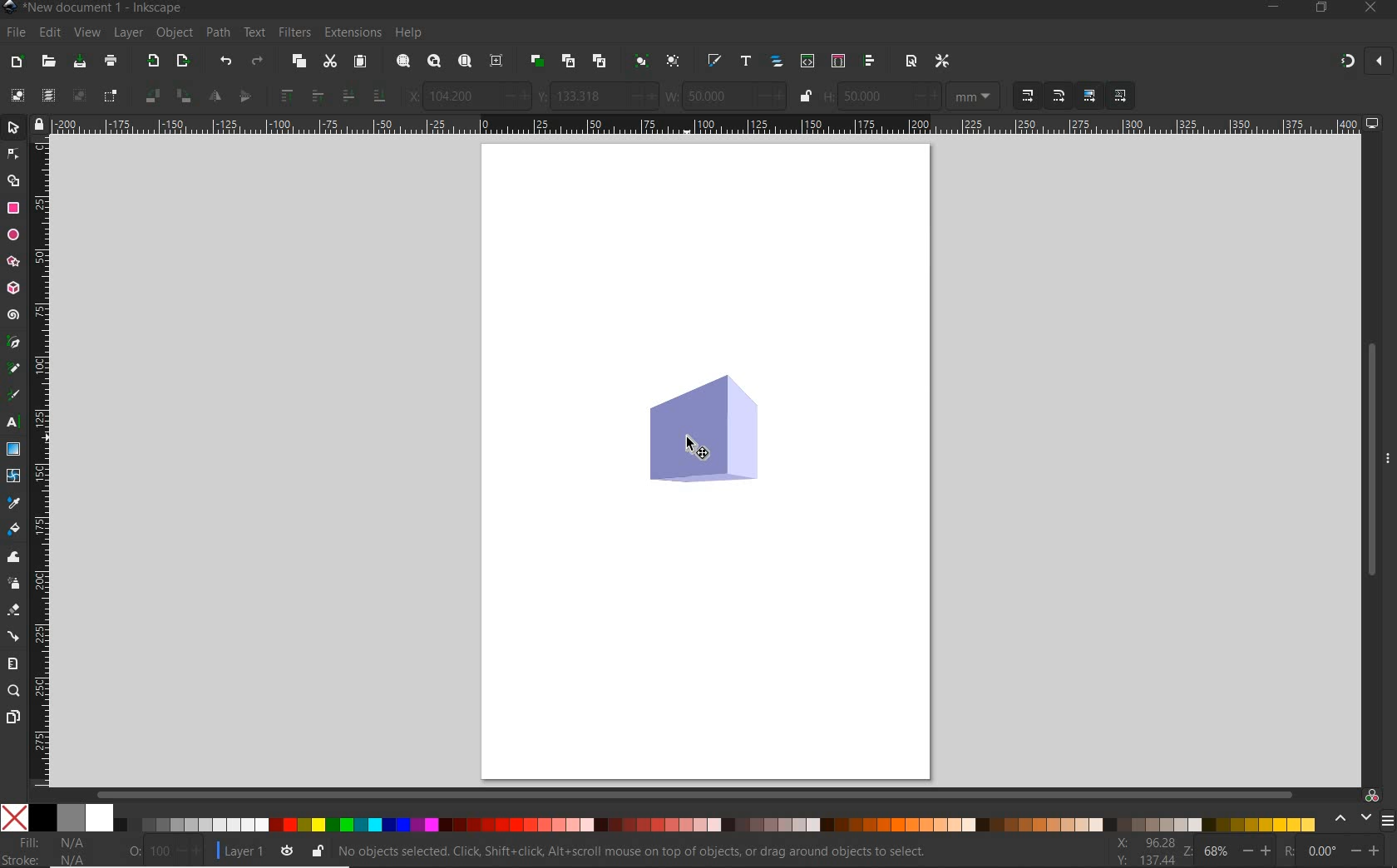 This screenshot has height=868, width=1397. What do you see at coordinates (286, 97) in the screenshot?
I see `raise selection` at bounding box center [286, 97].